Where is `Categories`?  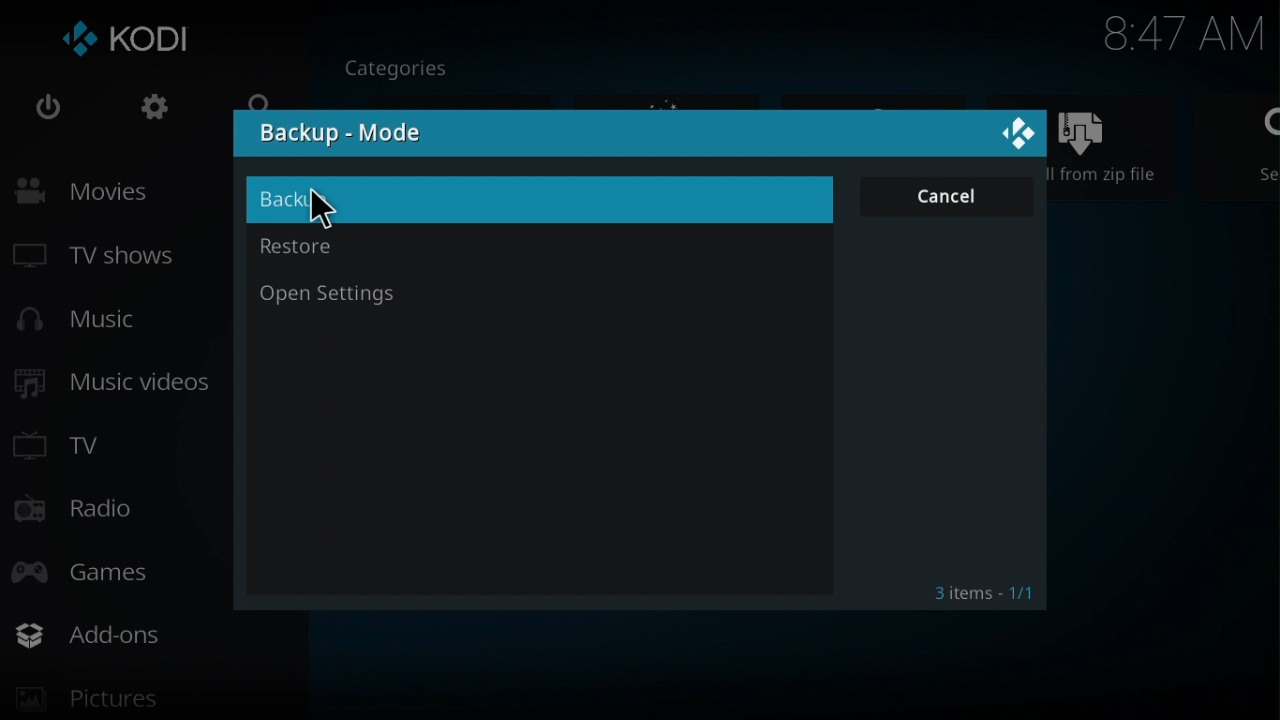 Categories is located at coordinates (407, 66).